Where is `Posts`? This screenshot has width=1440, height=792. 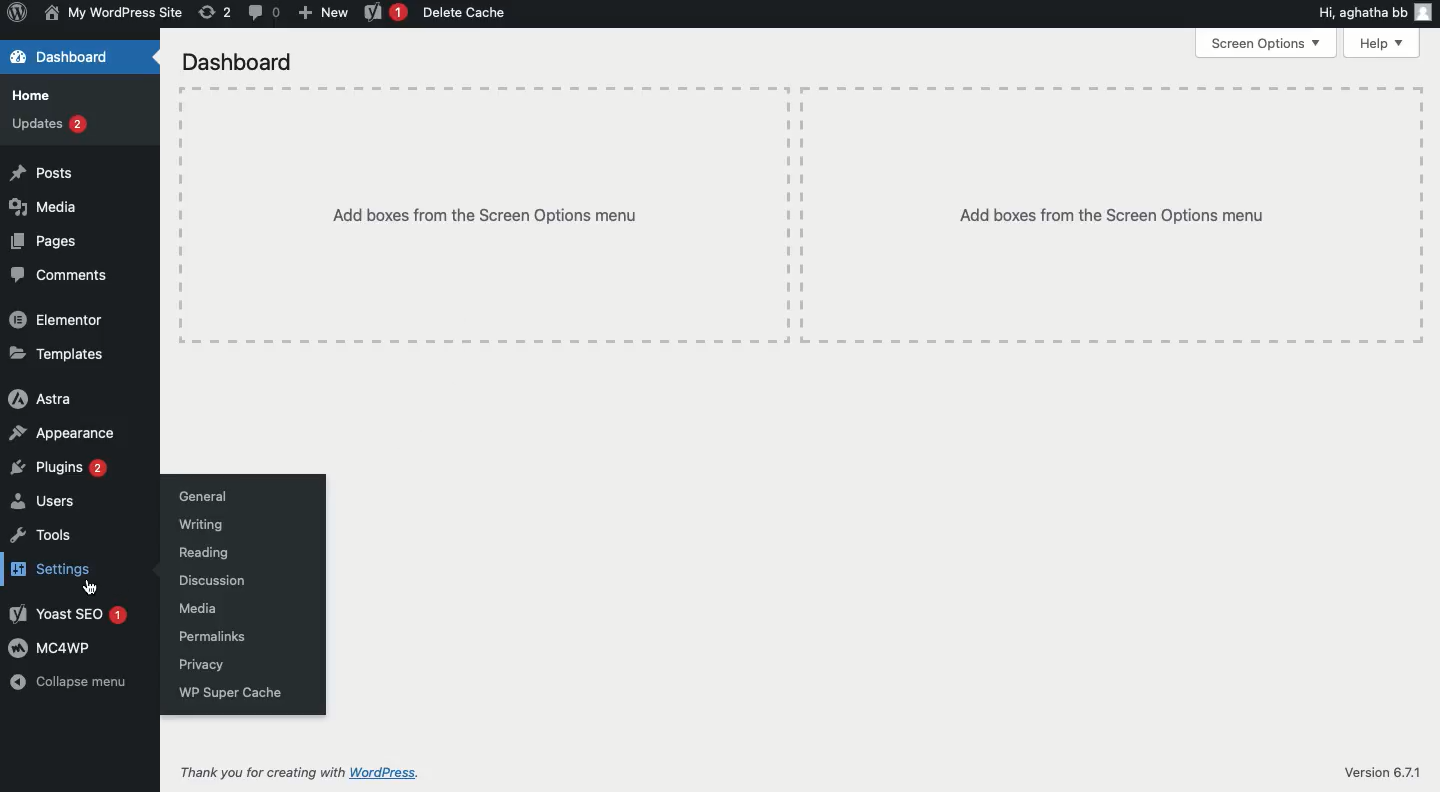
Posts is located at coordinates (40, 171).